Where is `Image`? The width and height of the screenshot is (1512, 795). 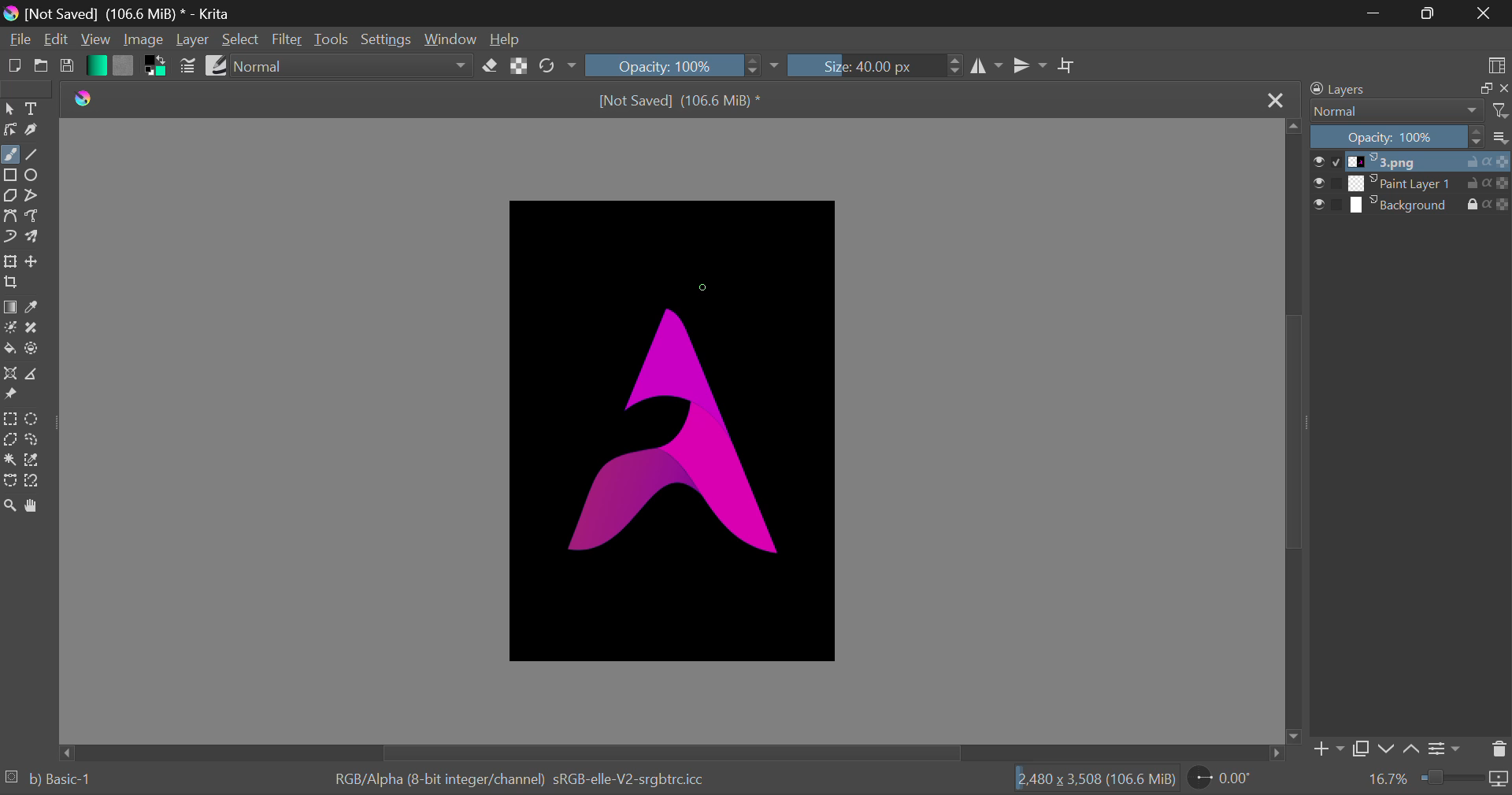
Image is located at coordinates (140, 39).